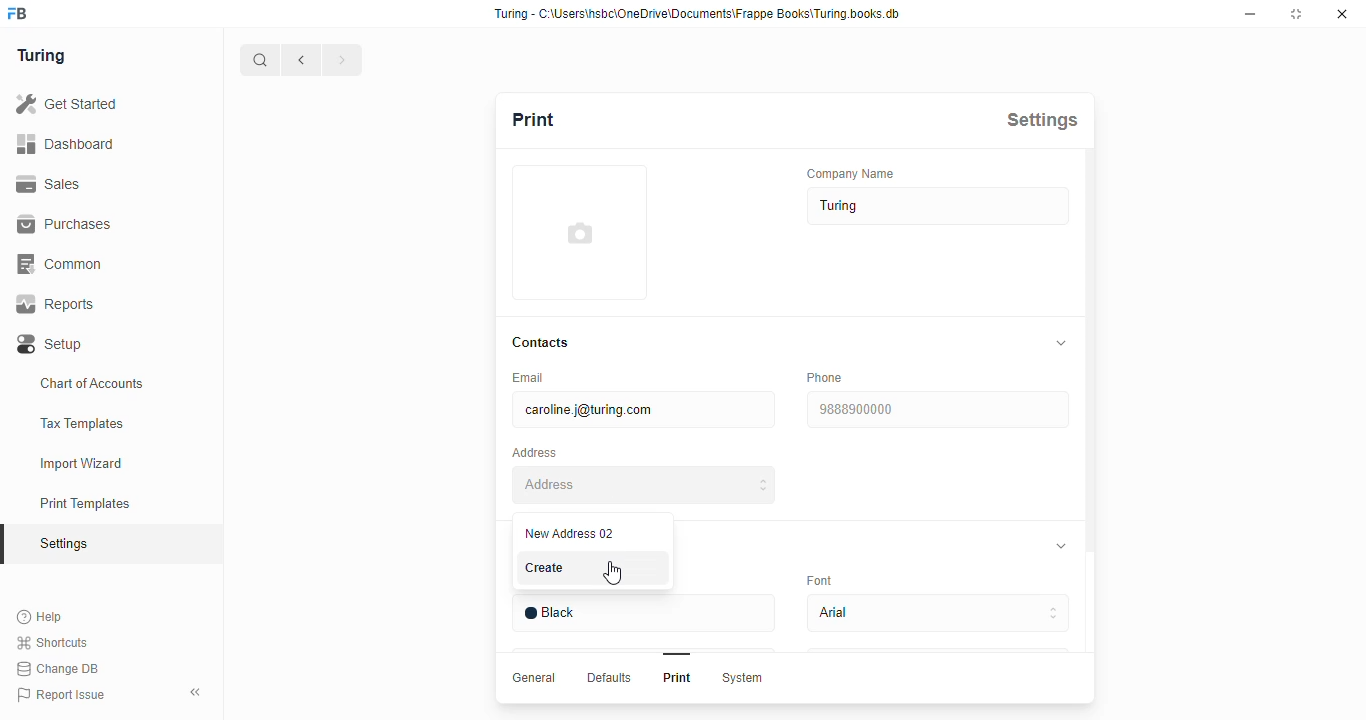 The height and width of the screenshot is (720, 1366). Describe the element at coordinates (826, 377) in the screenshot. I see `phone` at that location.